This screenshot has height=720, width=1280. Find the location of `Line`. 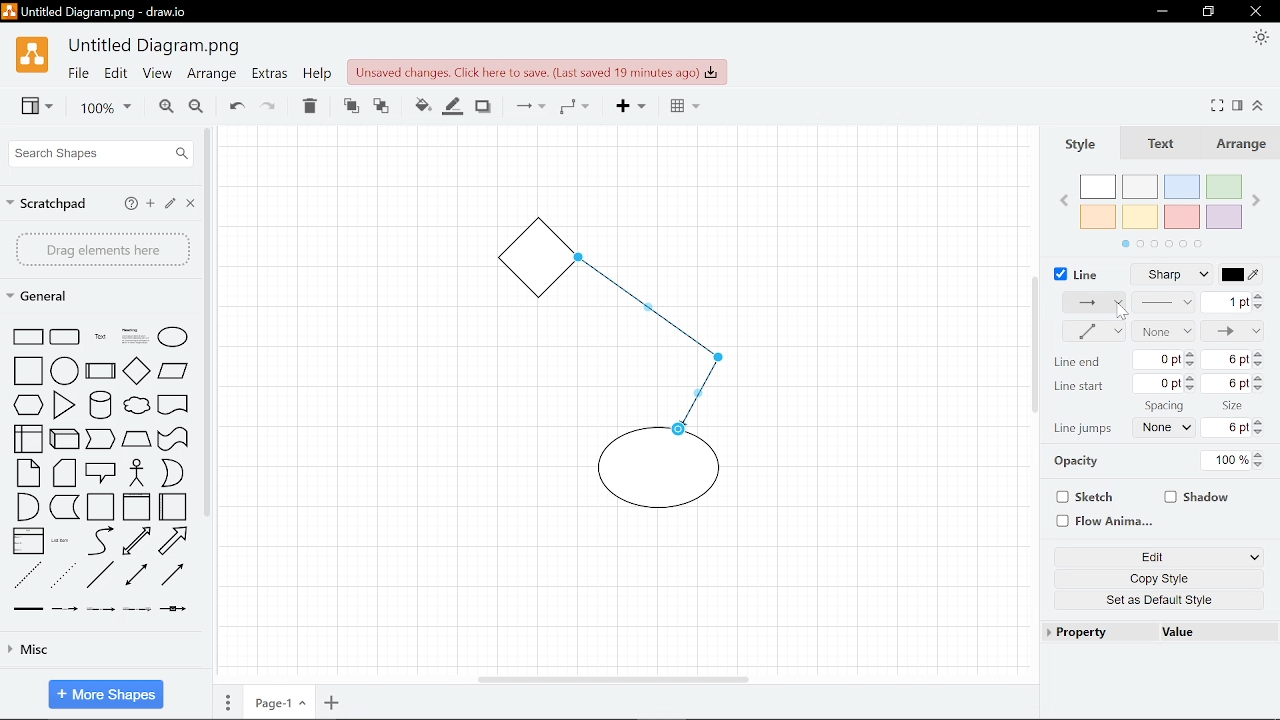

Line is located at coordinates (1076, 272).